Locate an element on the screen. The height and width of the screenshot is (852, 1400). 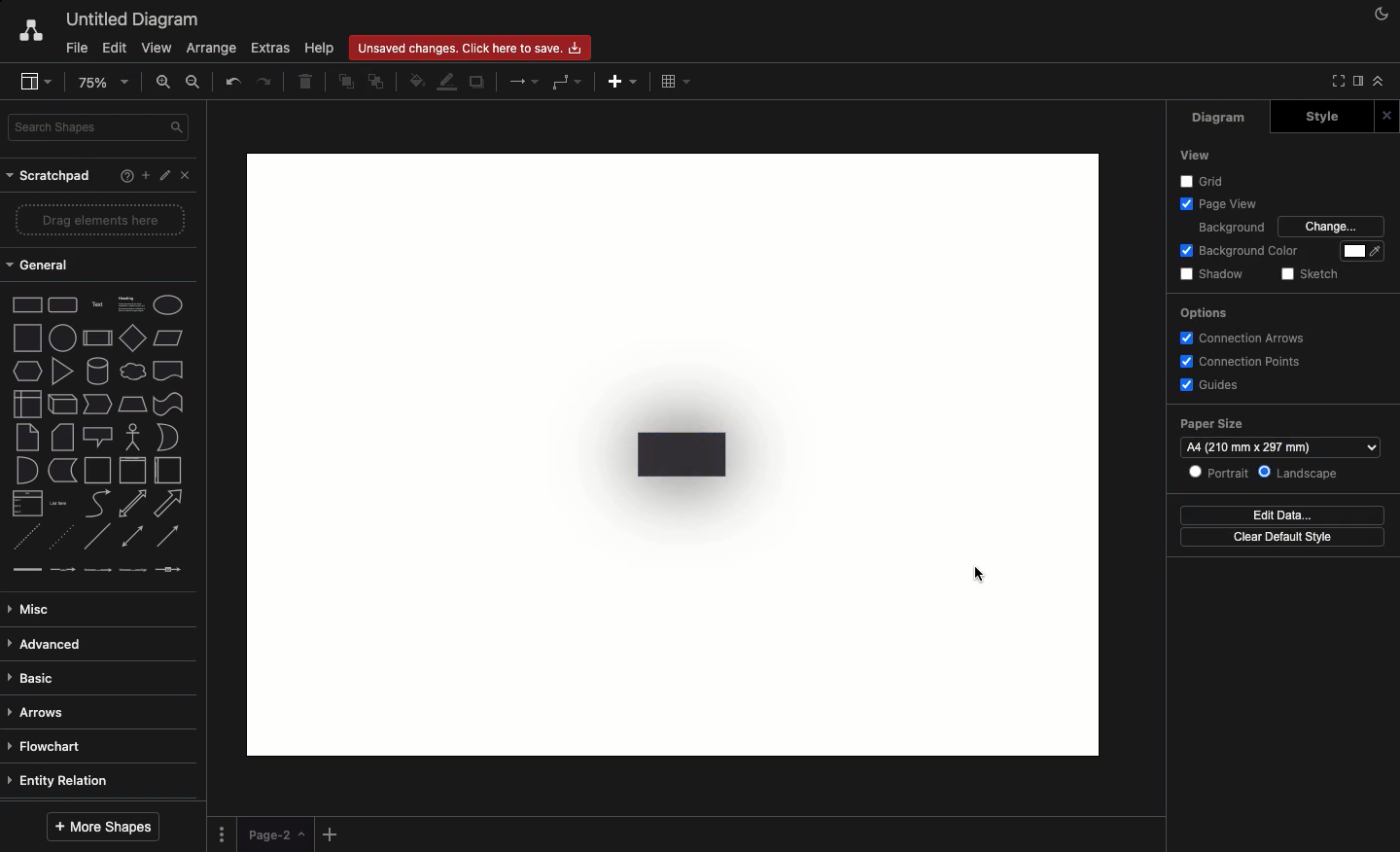
Zoom in is located at coordinates (164, 85).